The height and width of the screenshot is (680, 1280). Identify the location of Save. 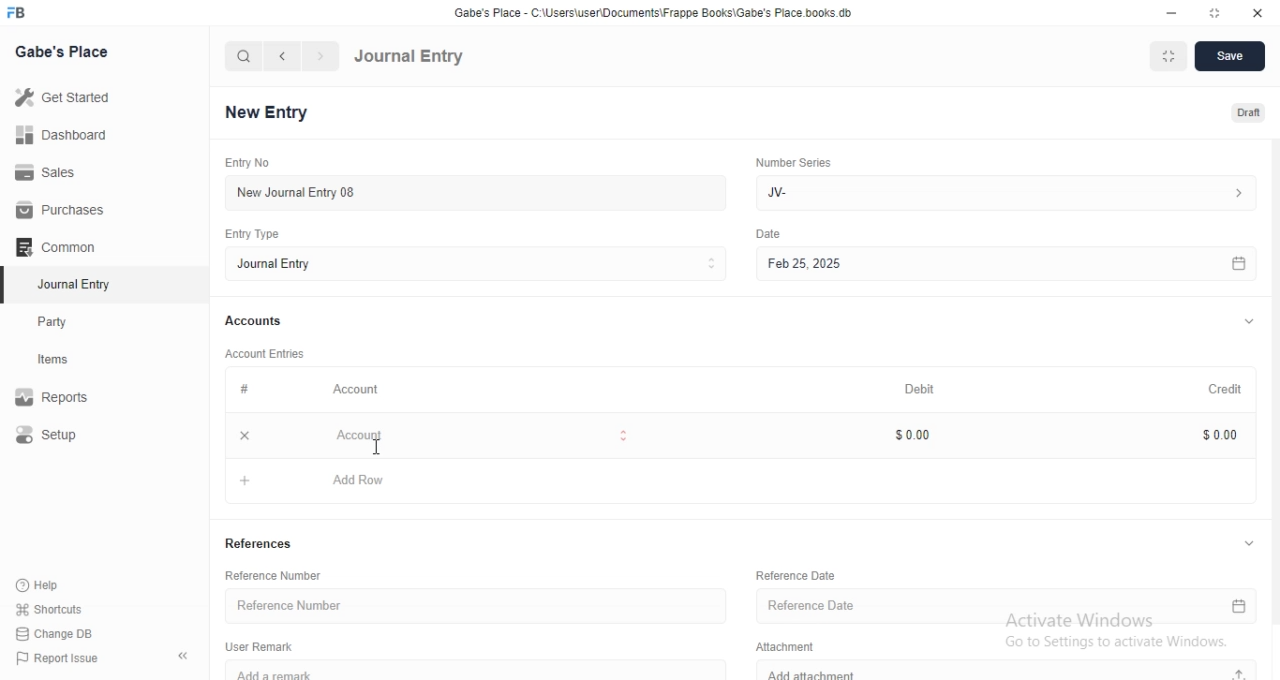
(1231, 57).